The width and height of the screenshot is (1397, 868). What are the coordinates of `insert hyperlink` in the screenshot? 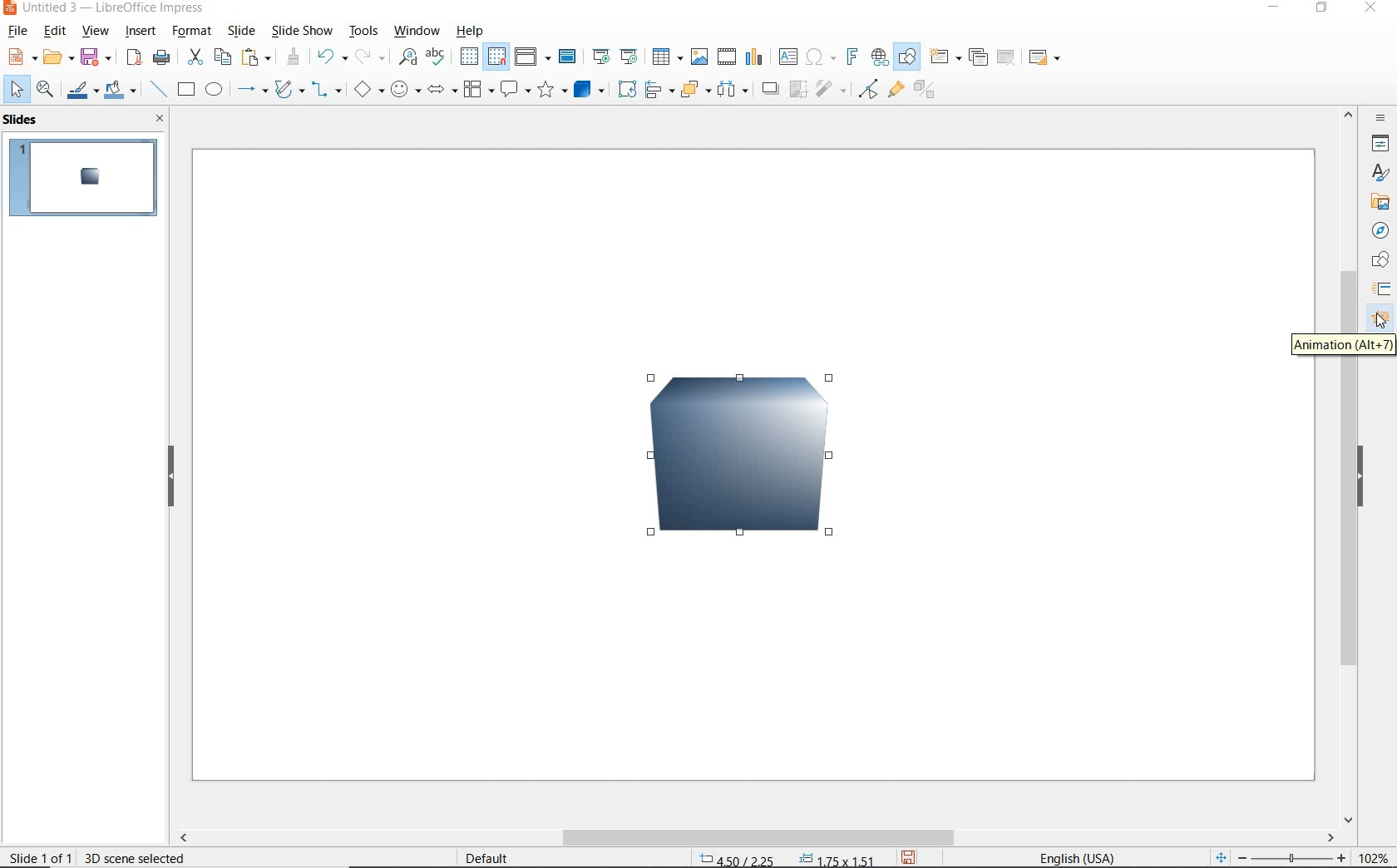 It's located at (877, 57).